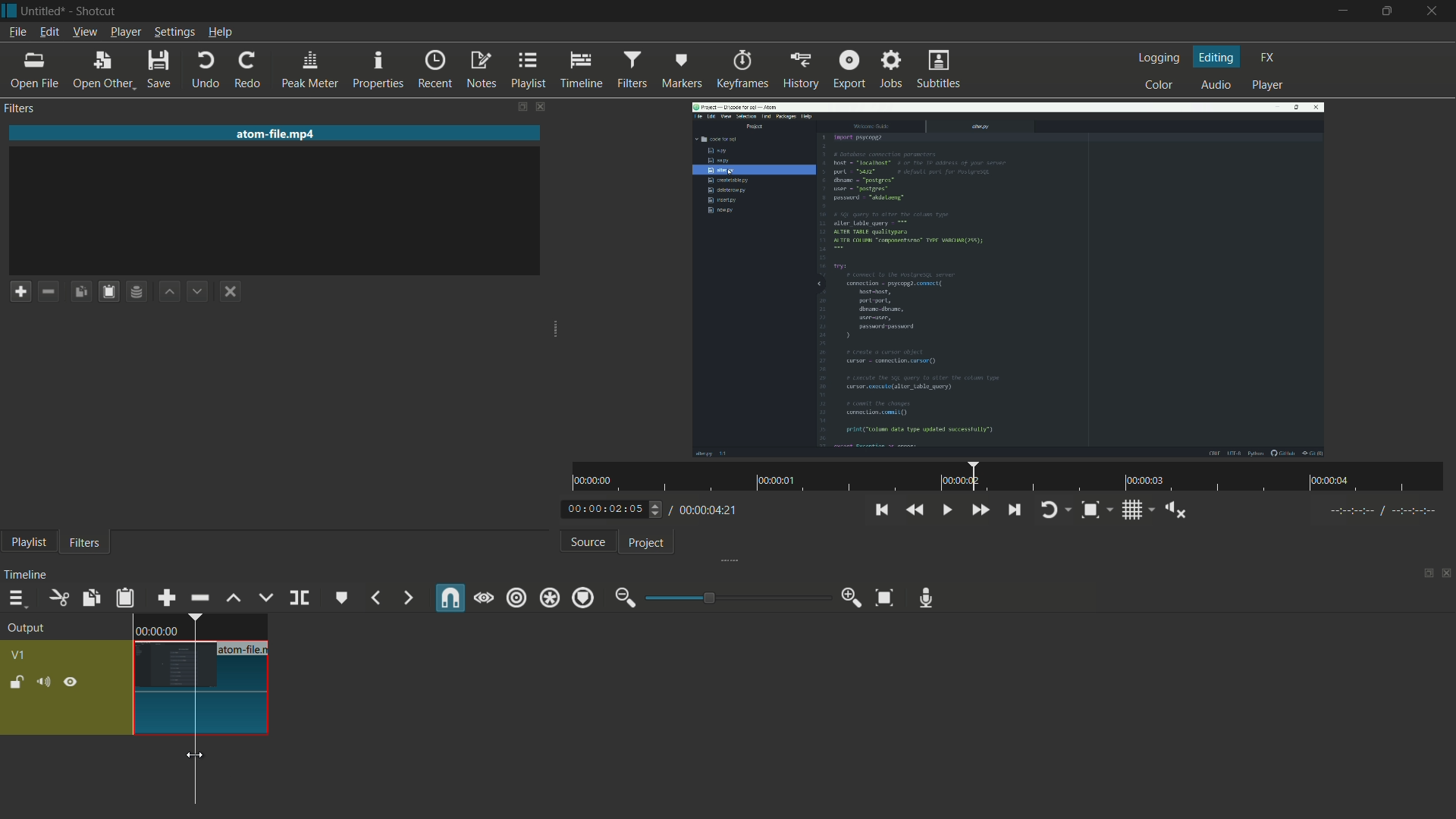 The image size is (1456, 819). I want to click on player, so click(1266, 86).